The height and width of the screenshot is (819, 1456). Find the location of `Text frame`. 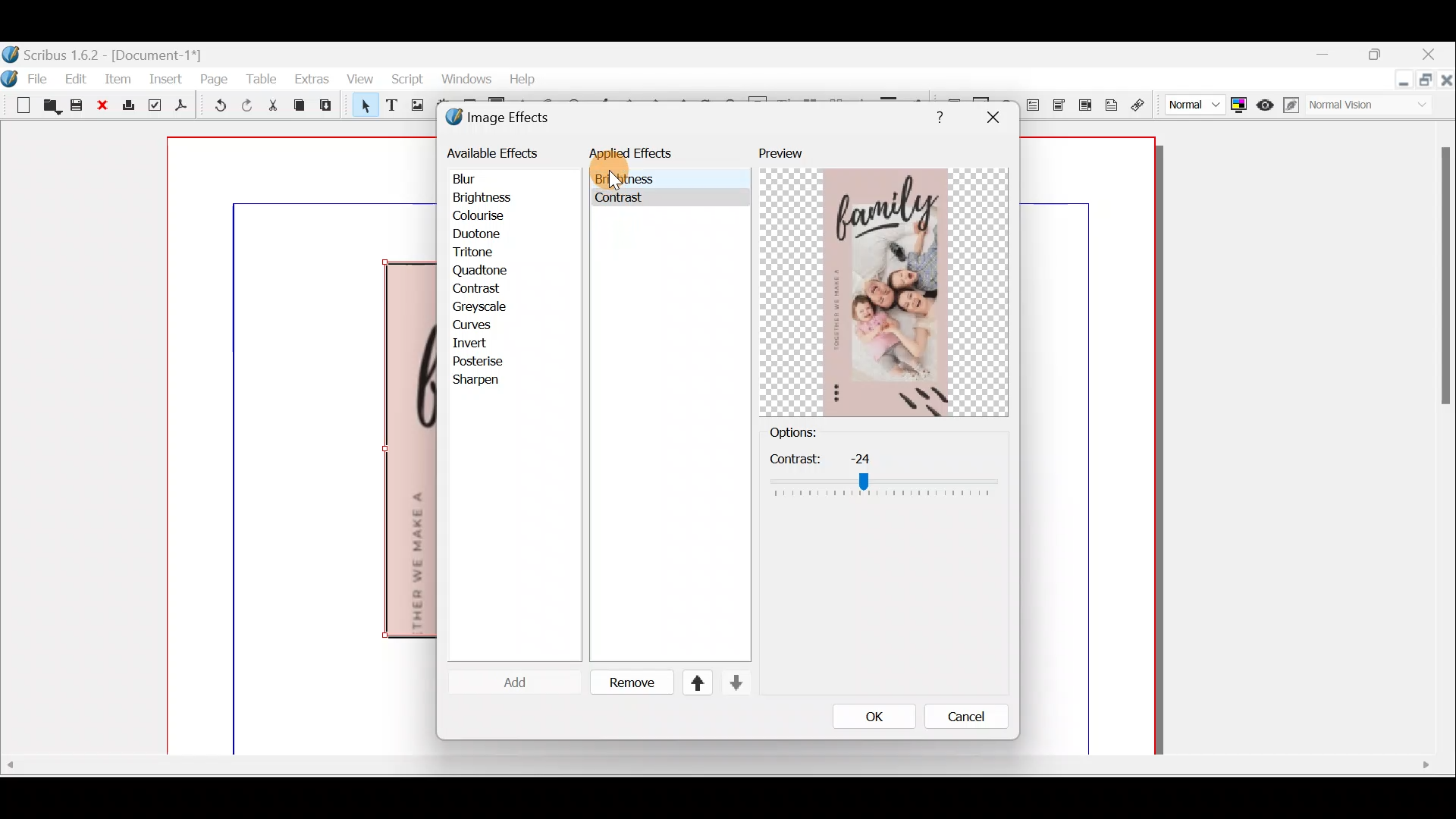

Text frame is located at coordinates (391, 106).